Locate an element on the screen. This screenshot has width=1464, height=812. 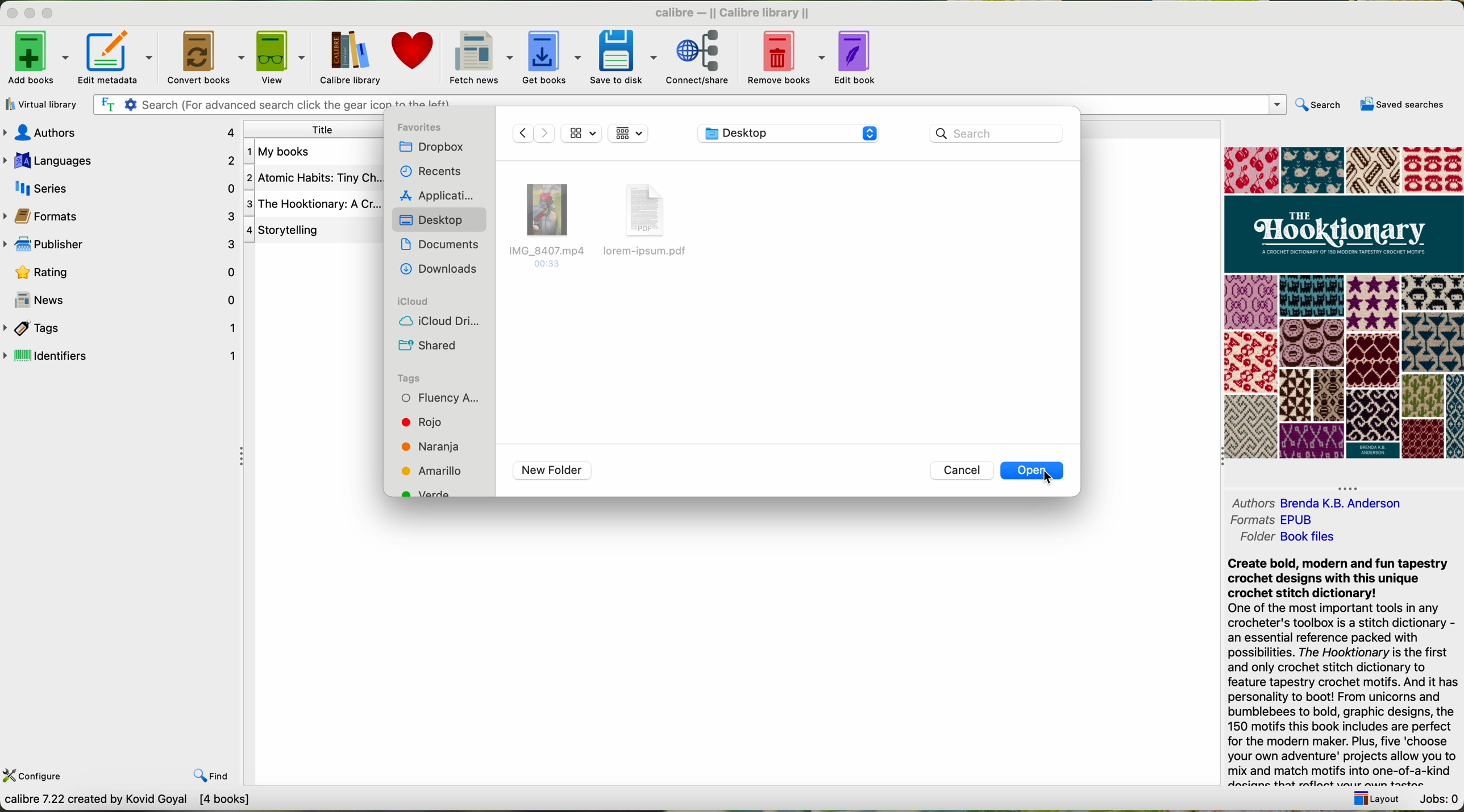
fetch news is located at coordinates (479, 57).